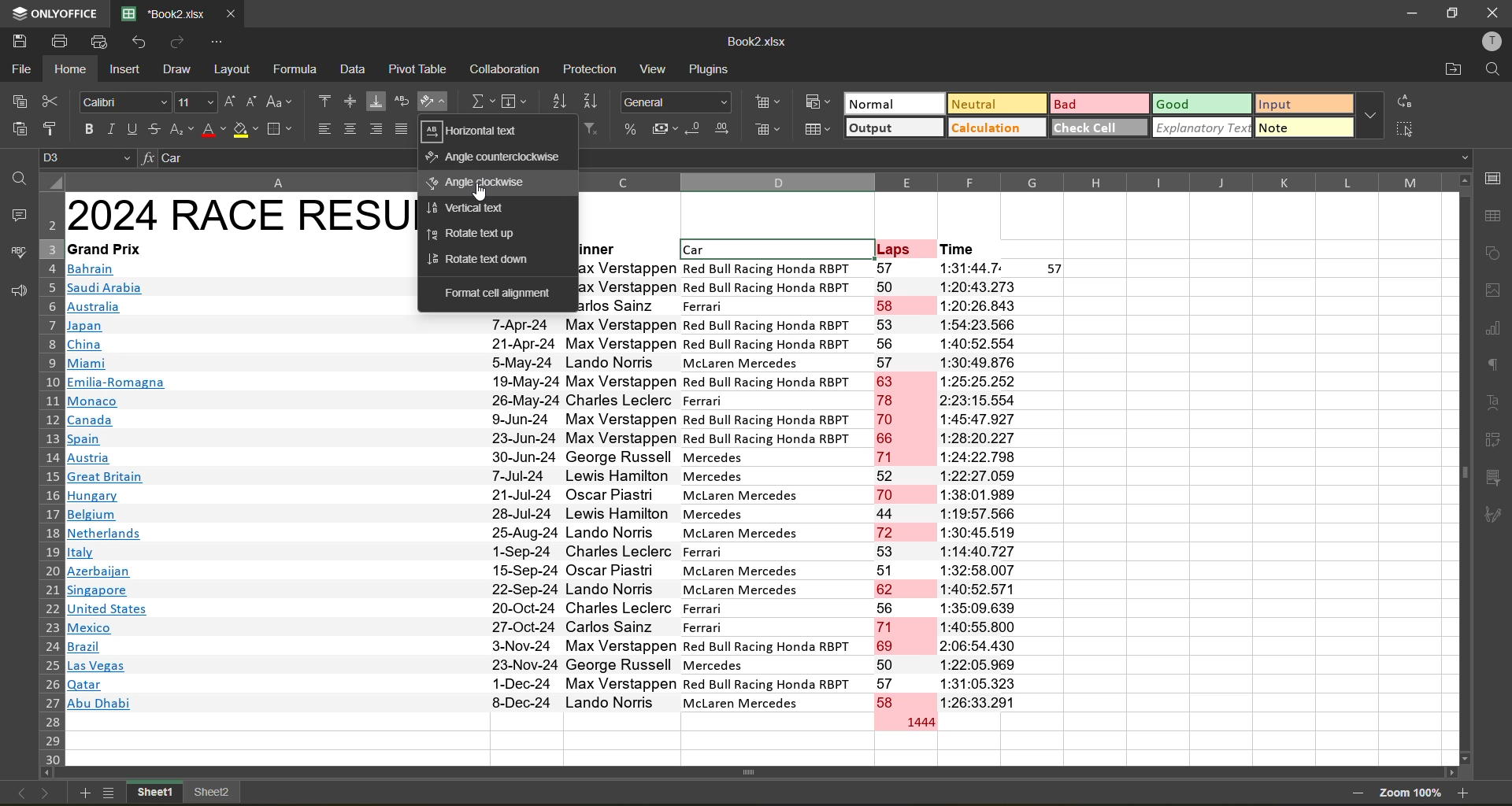  Describe the element at coordinates (57, 13) in the screenshot. I see `app name` at that location.